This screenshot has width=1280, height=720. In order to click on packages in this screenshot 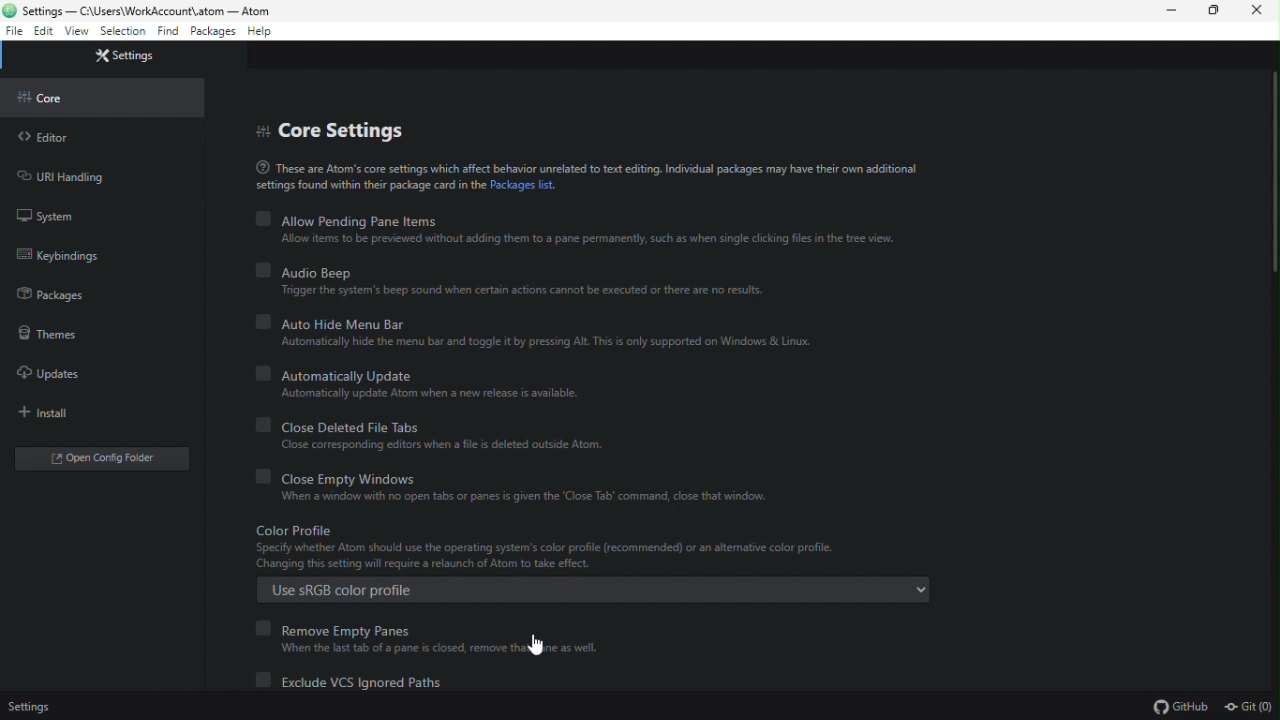, I will do `click(62, 295)`.